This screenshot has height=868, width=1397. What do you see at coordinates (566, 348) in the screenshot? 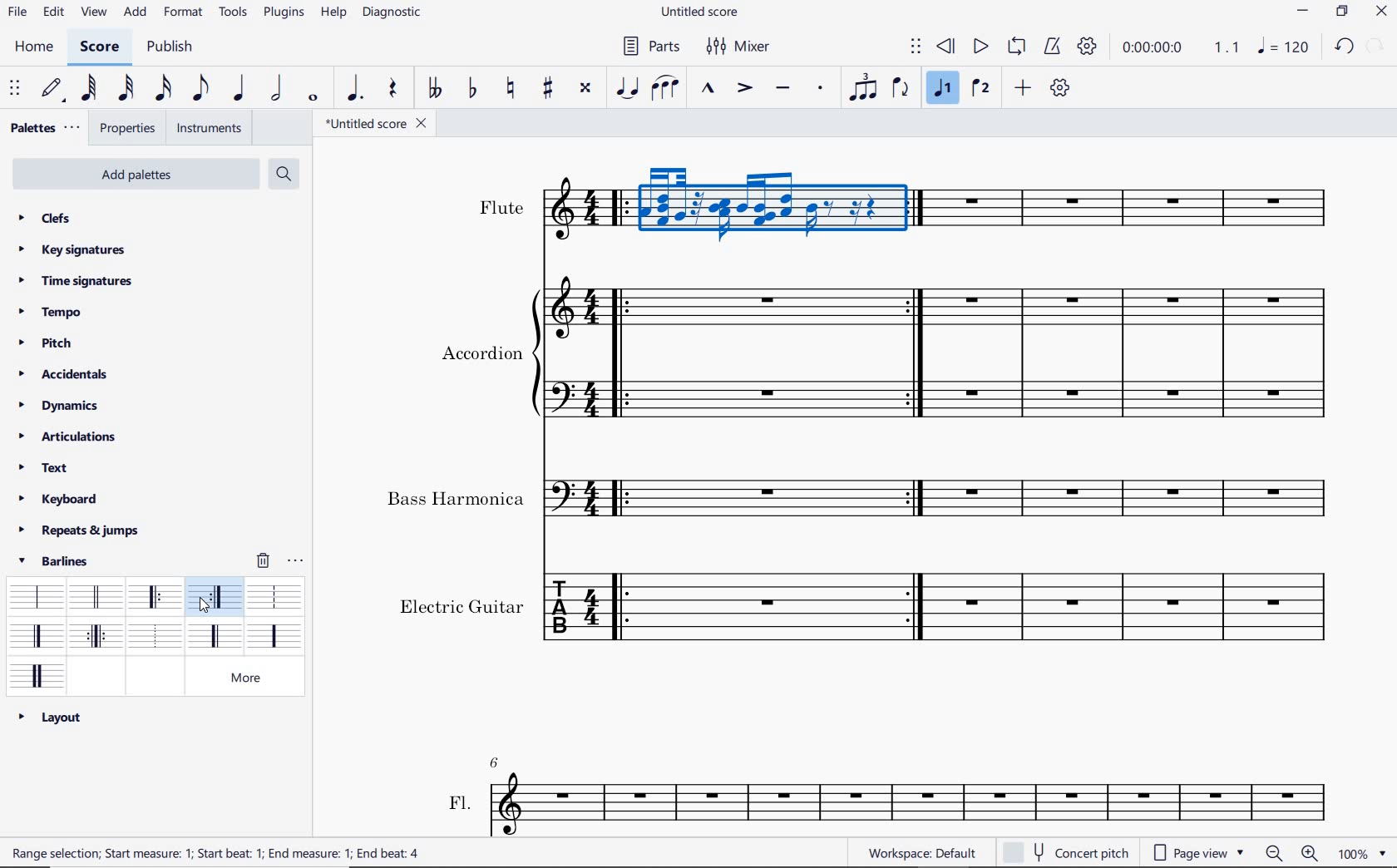
I see `Instrument: Accordion` at bounding box center [566, 348].